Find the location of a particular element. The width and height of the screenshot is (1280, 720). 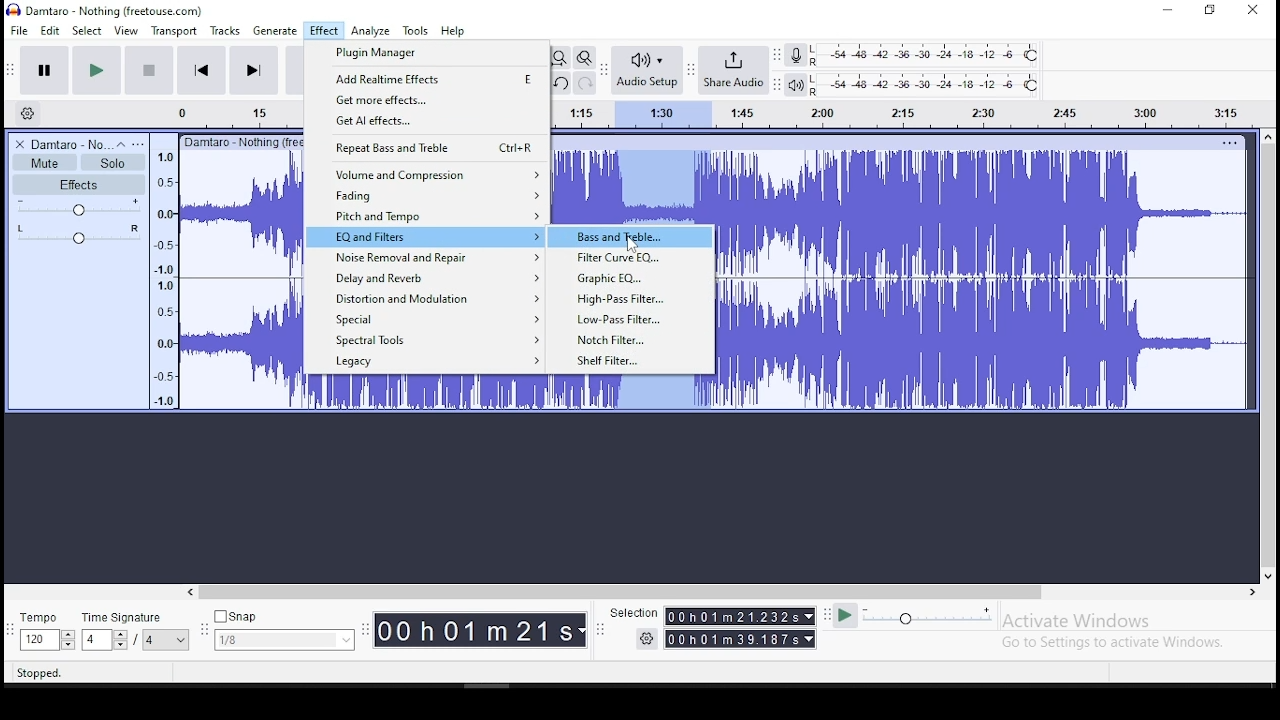

Stopped. is located at coordinates (38, 672).